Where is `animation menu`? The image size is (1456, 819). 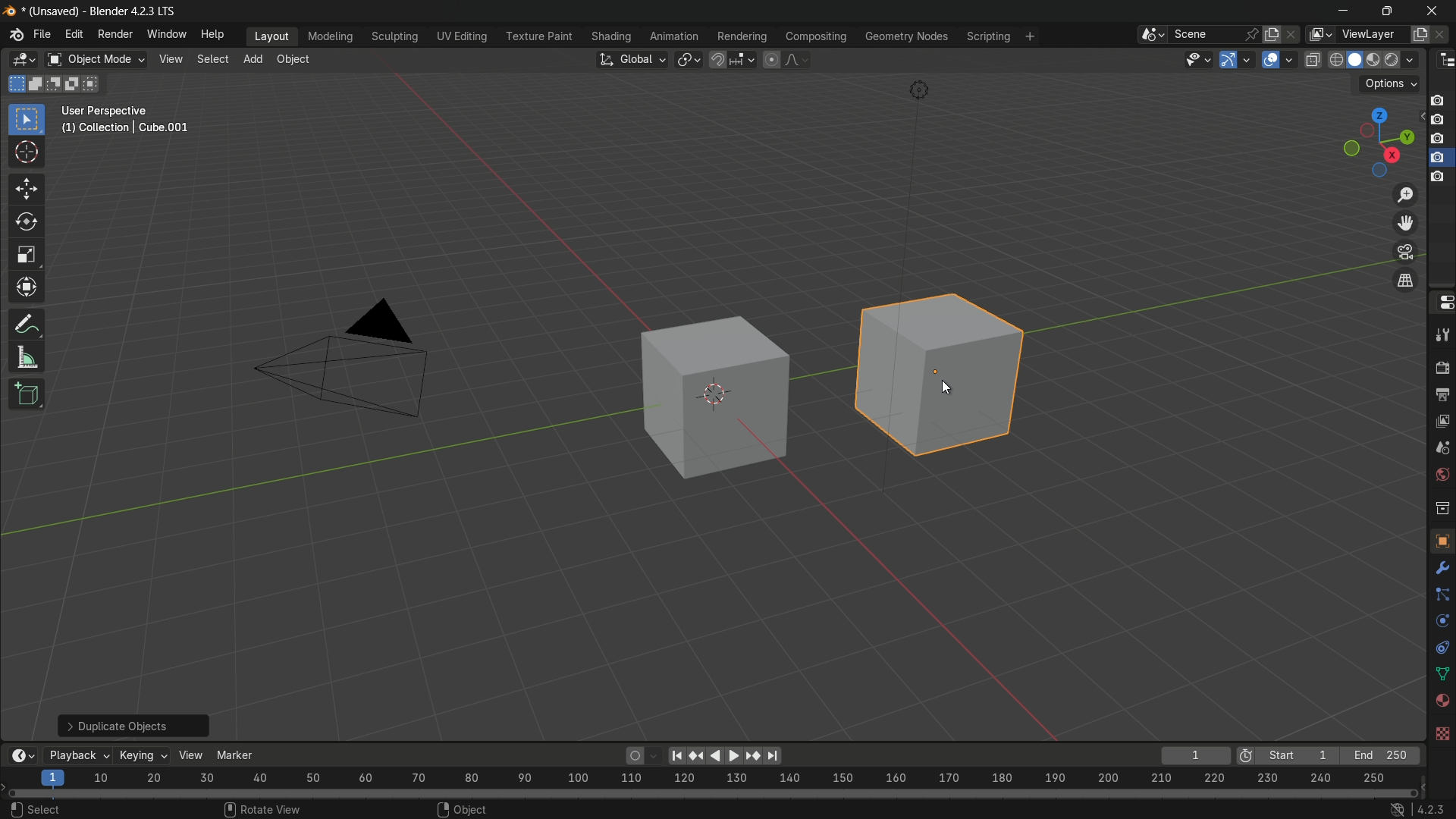
animation menu is located at coordinates (673, 34).